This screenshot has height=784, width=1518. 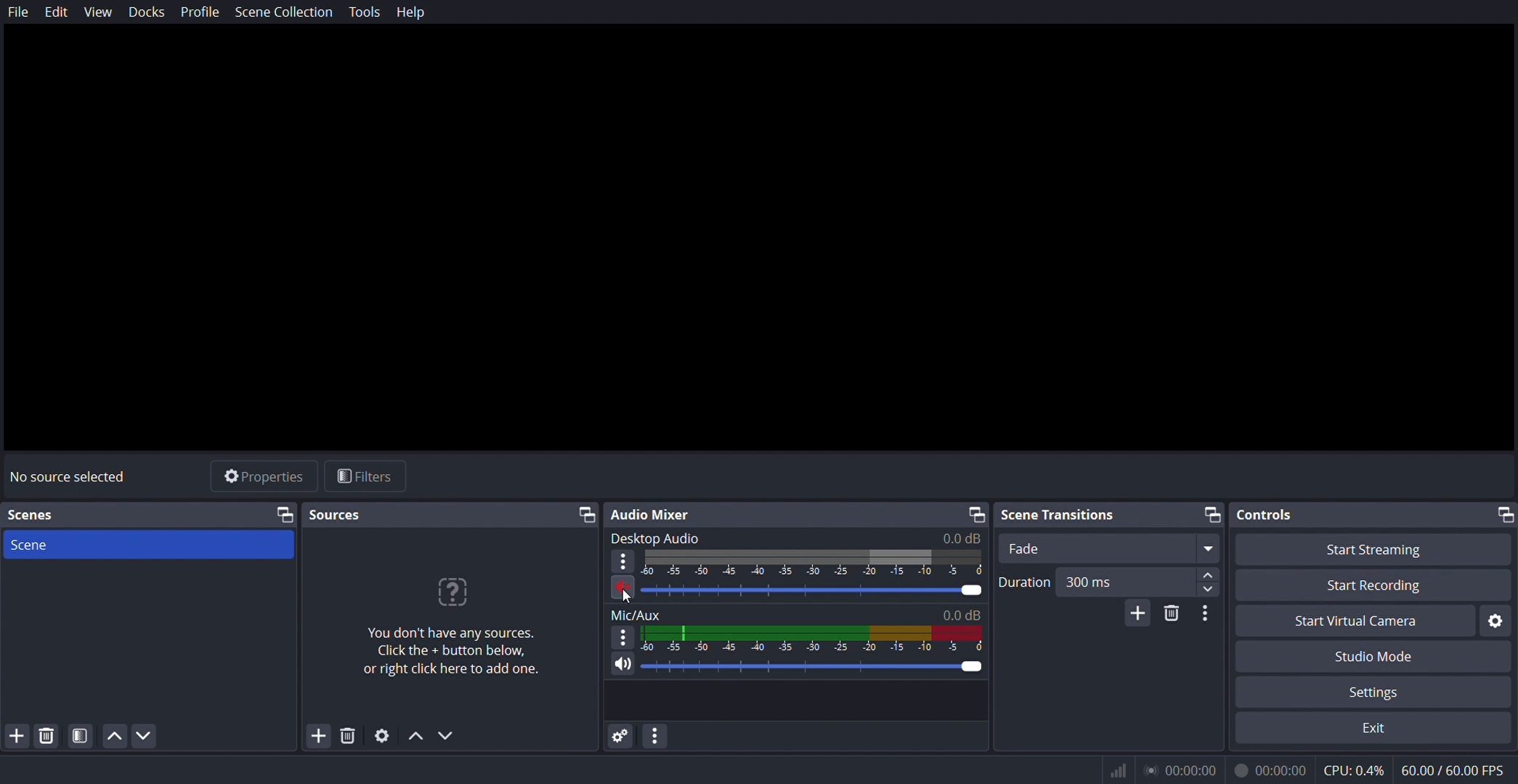 What do you see at coordinates (1206, 615) in the screenshot?
I see `configure scene transition` at bounding box center [1206, 615].